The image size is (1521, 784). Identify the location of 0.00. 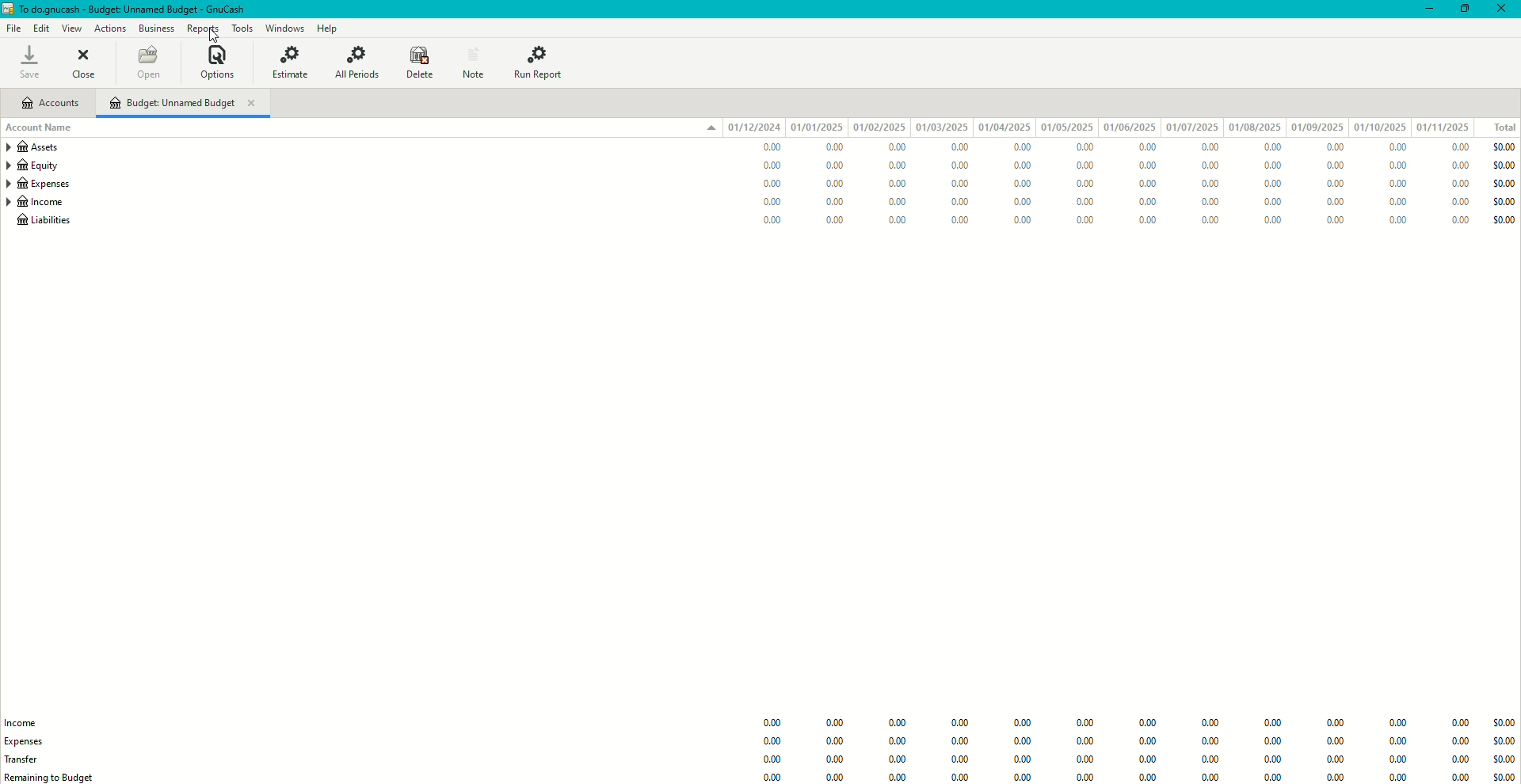
(1149, 742).